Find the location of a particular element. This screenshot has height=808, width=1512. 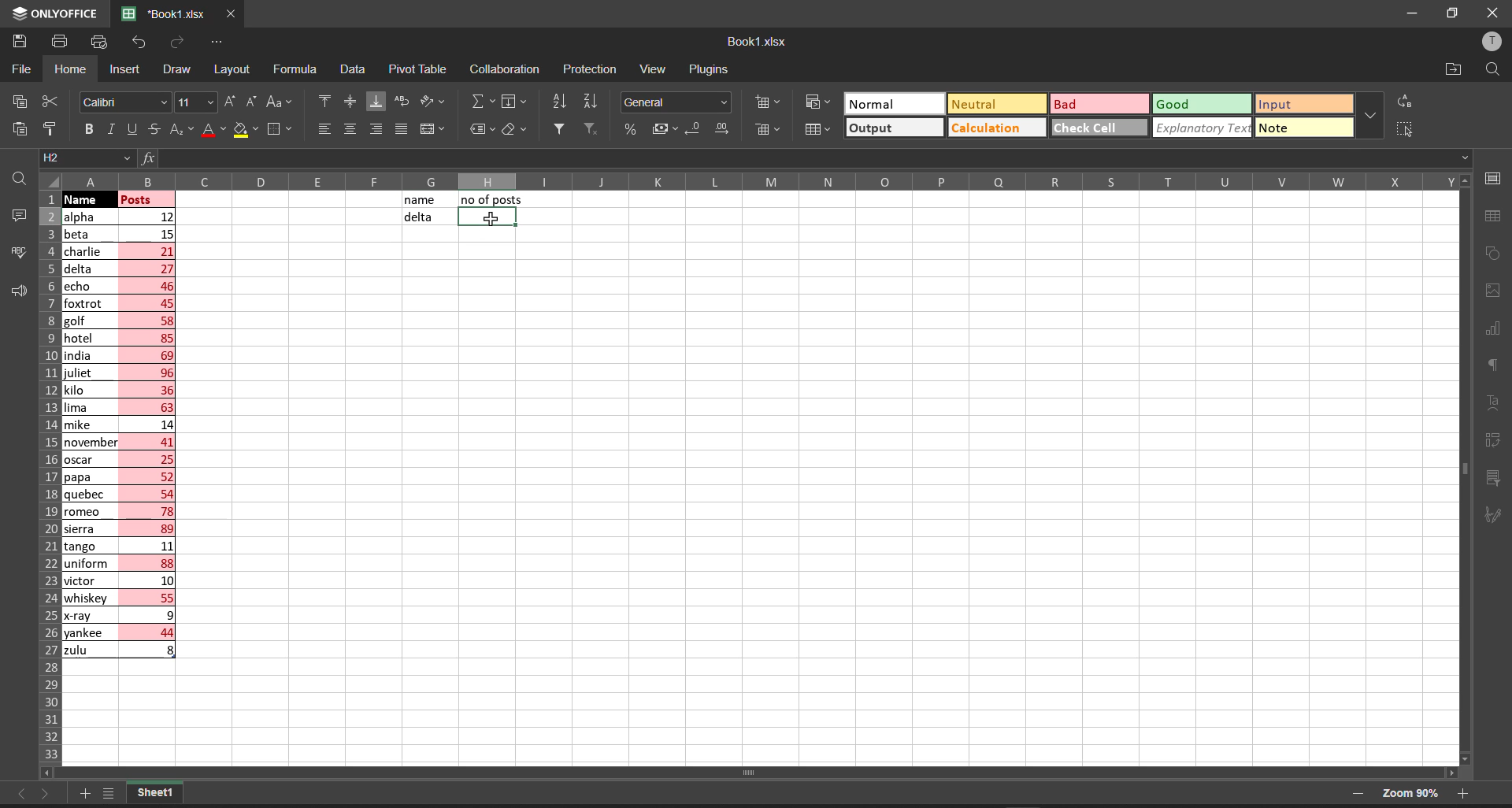

select all is located at coordinates (1403, 128).